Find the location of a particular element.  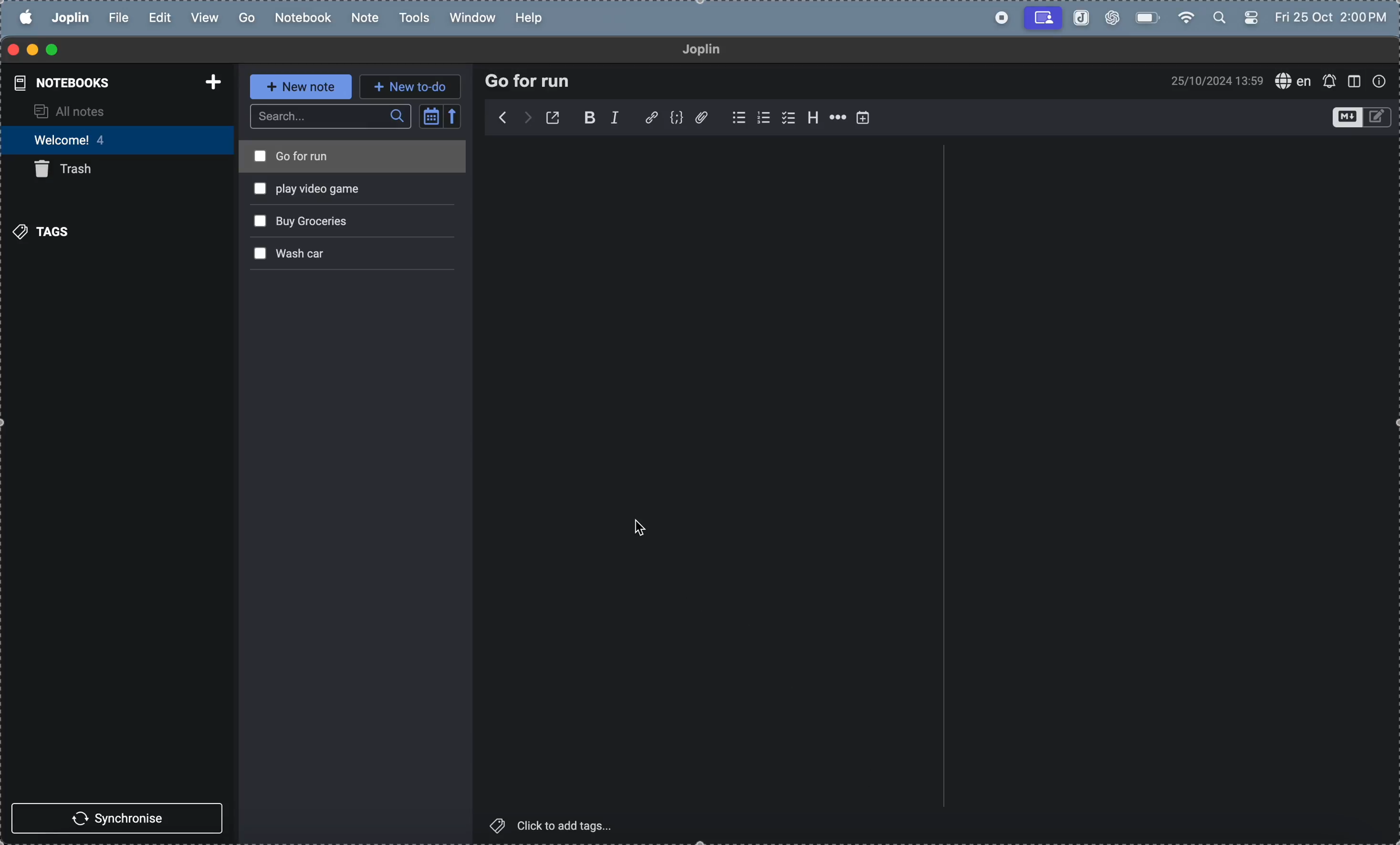

joplin title is located at coordinates (701, 49).